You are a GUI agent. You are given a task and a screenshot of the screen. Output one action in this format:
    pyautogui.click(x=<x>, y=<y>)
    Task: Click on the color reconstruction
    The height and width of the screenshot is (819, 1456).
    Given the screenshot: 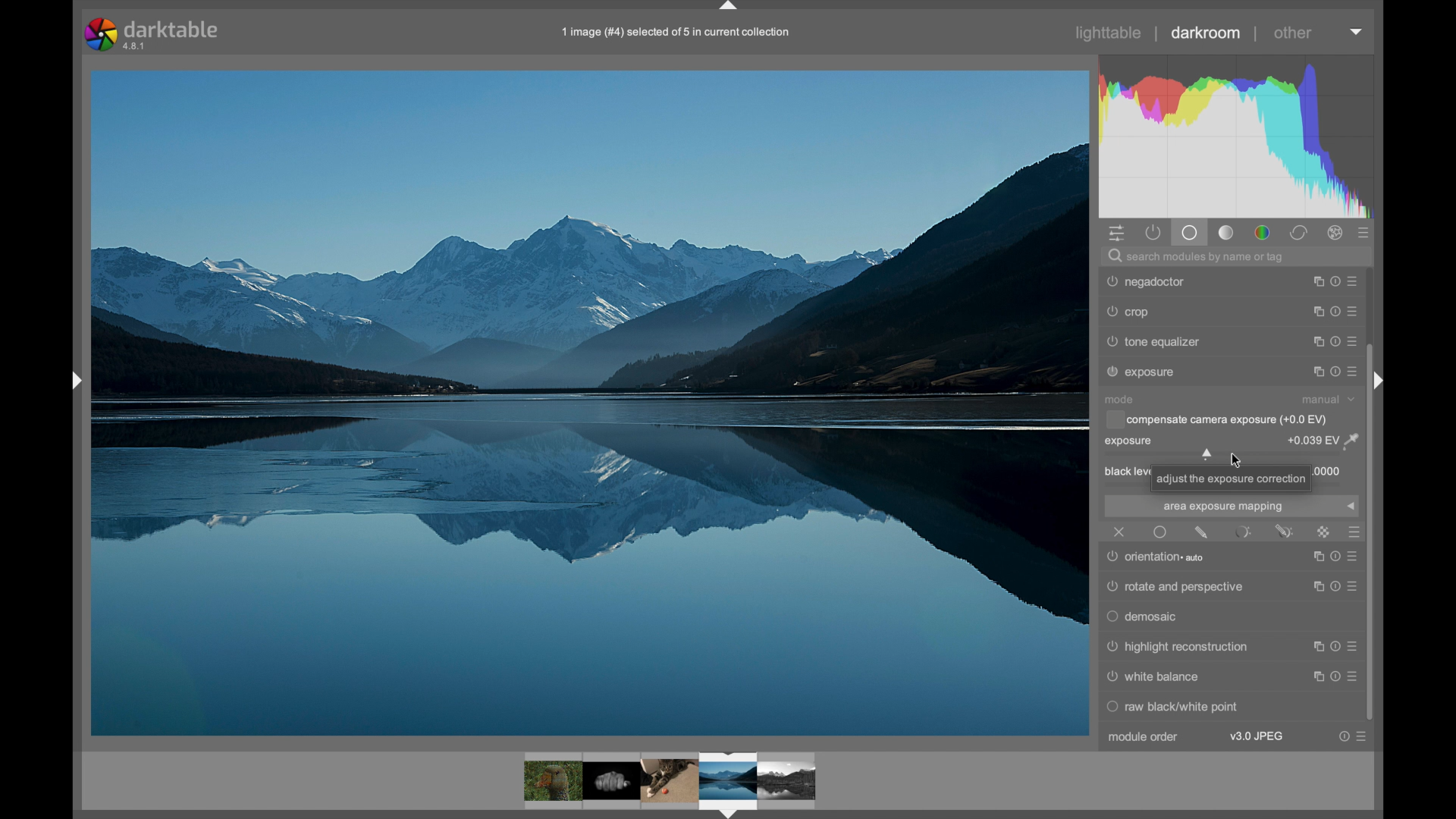 What is the action you would take?
    pyautogui.click(x=1169, y=281)
    